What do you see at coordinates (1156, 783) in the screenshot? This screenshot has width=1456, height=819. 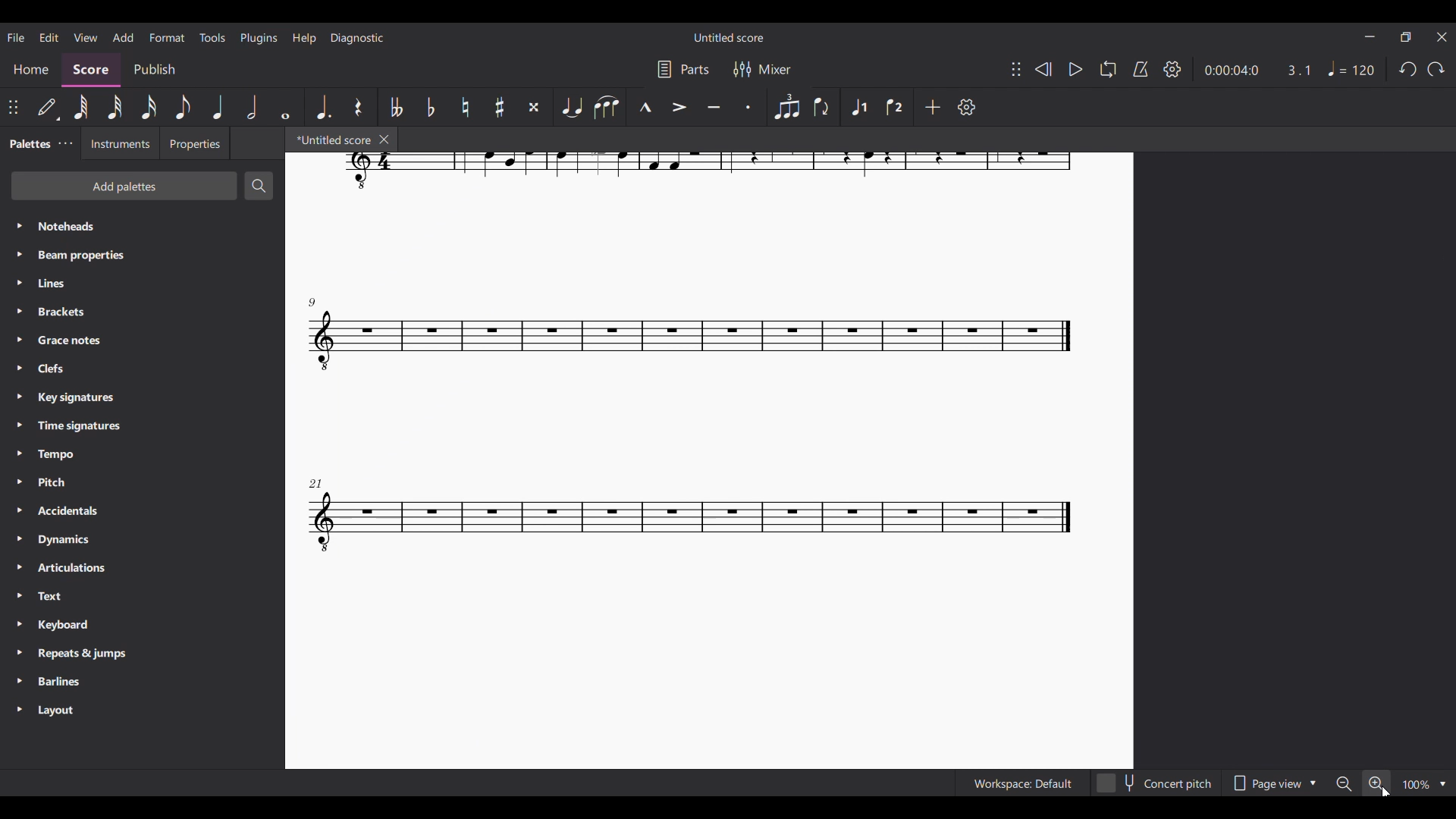 I see `Concert pitch toggle` at bounding box center [1156, 783].